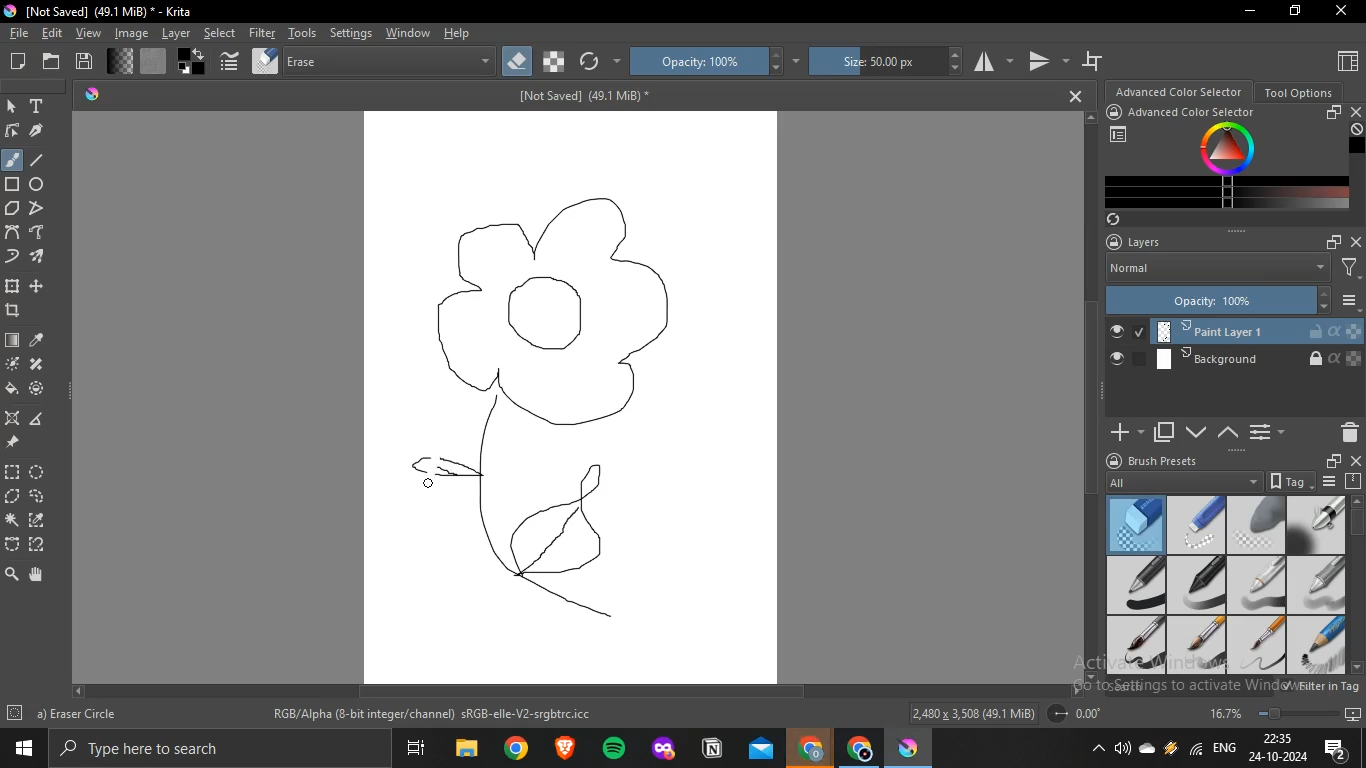  I want to click on layers, so click(1144, 242).